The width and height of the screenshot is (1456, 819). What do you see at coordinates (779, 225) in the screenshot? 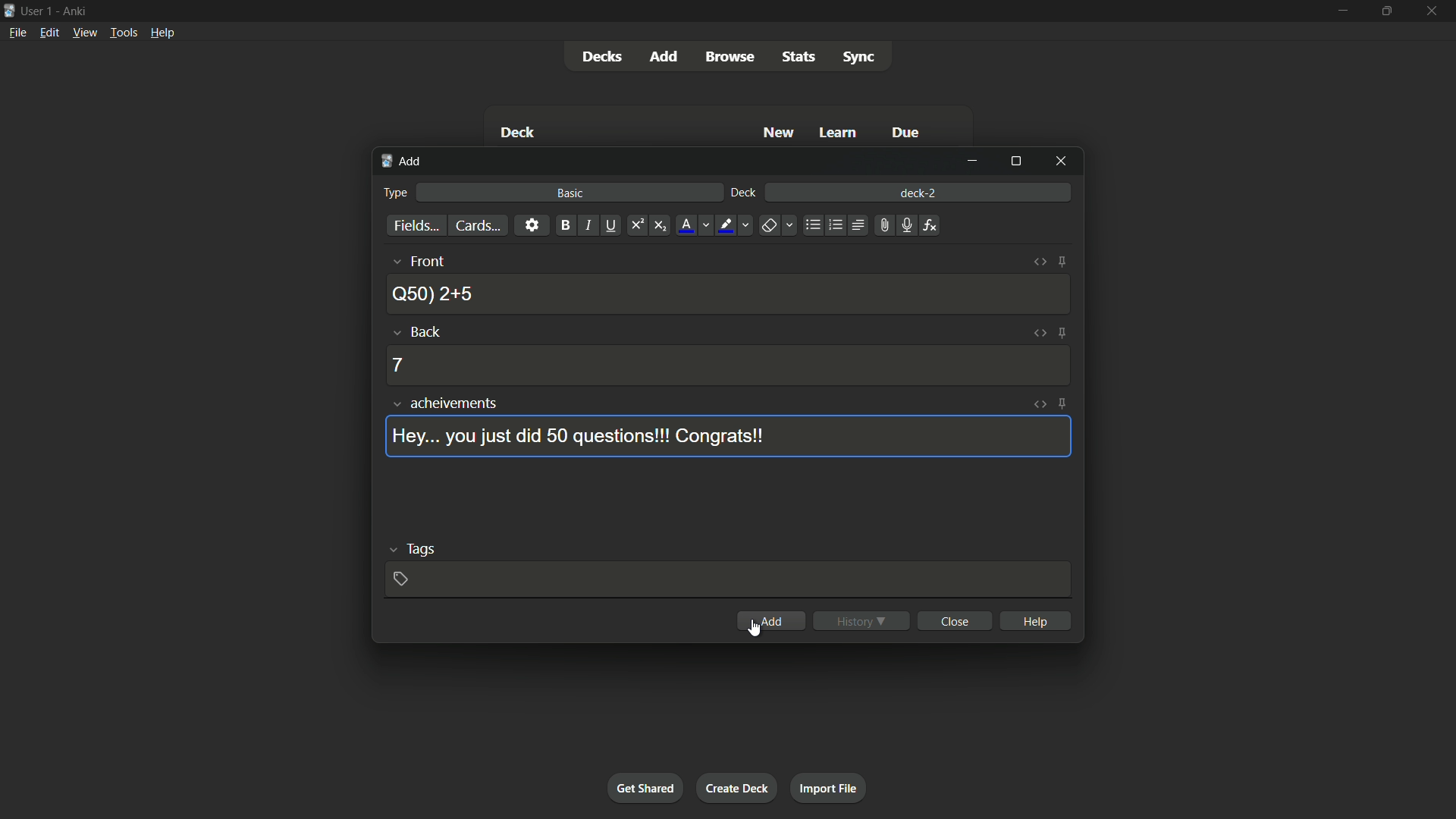
I see `remove formatting` at bounding box center [779, 225].